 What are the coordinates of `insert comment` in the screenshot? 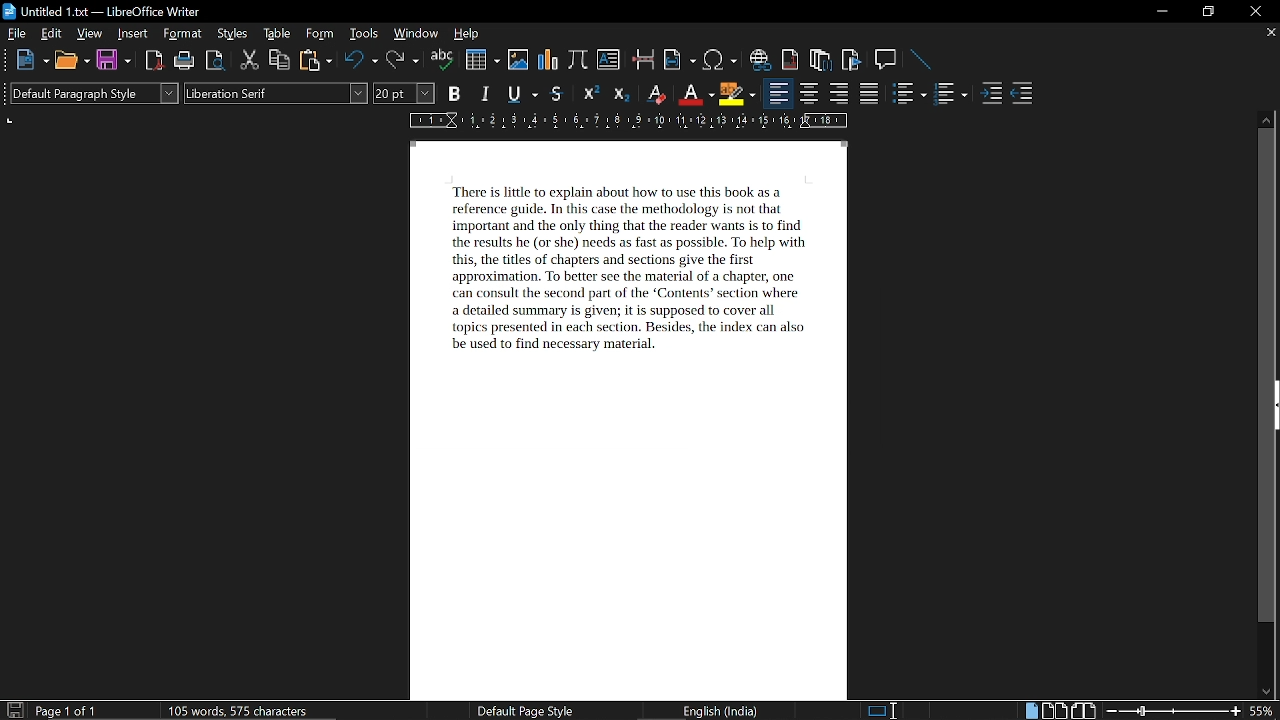 It's located at (887, 60).